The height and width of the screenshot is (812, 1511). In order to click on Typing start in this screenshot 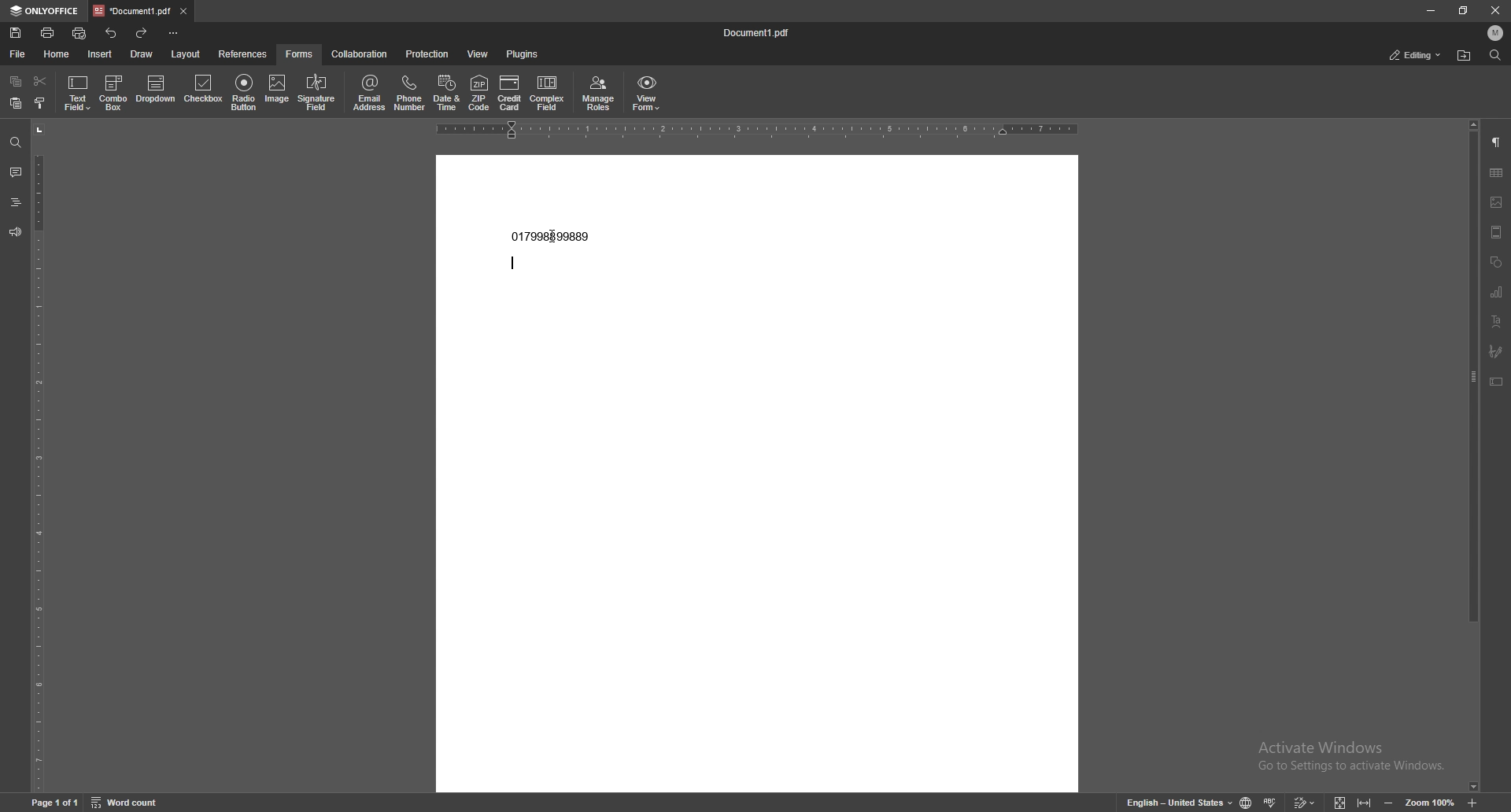, I will do `click(514, 263)`.